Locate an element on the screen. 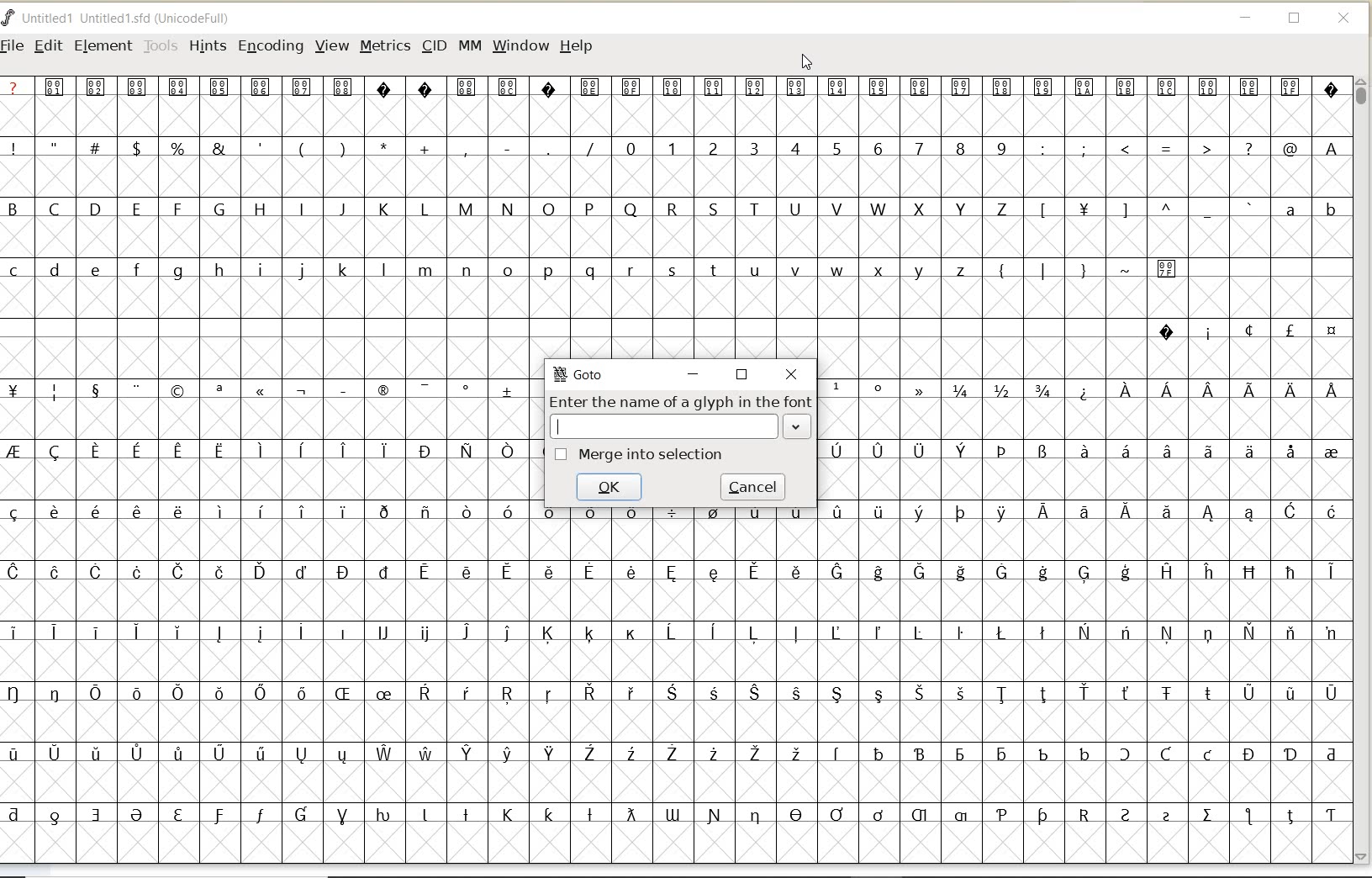 The image size is (1372, 878). HELP is located at coordinates (576, 45).